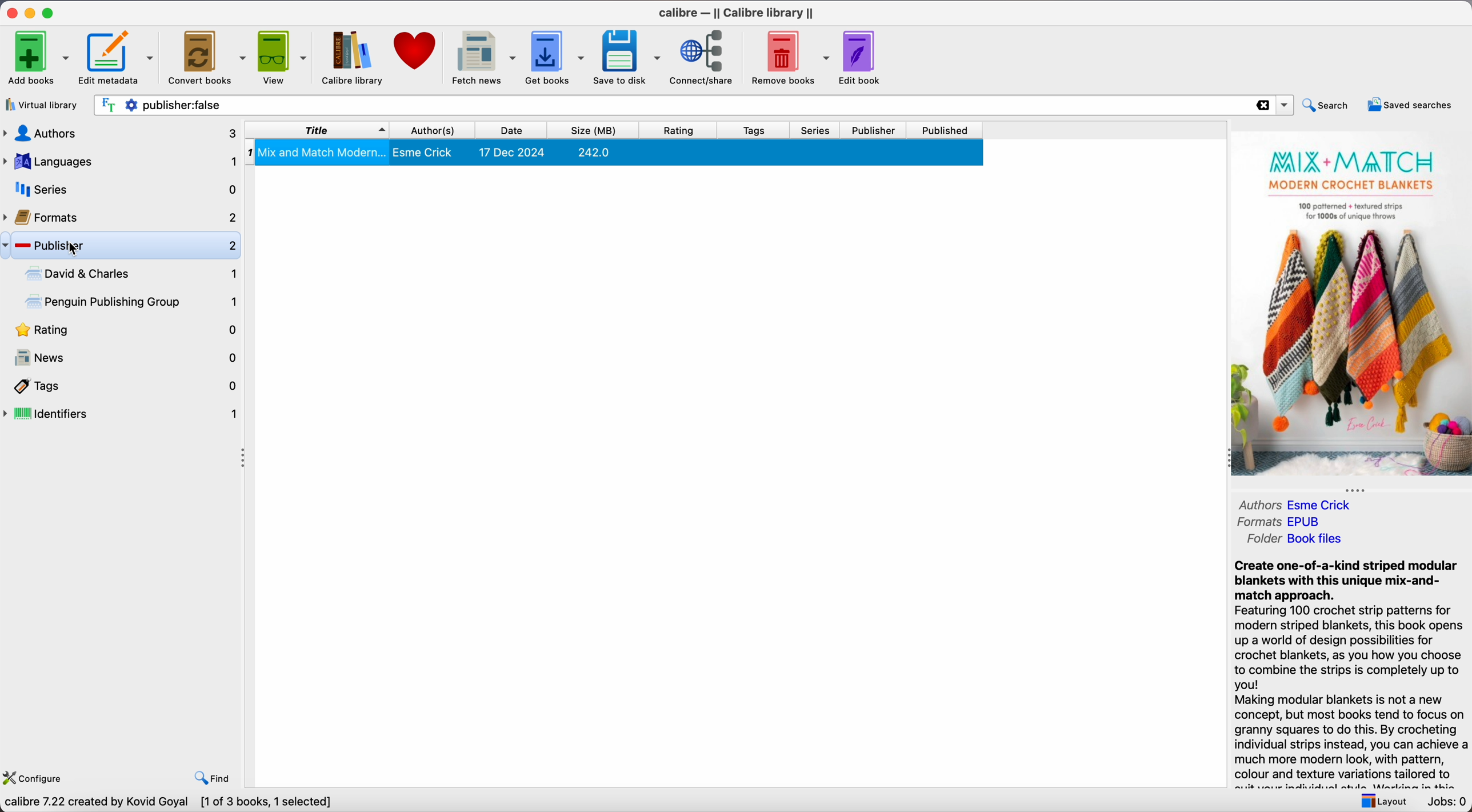 This screenshot has height=812, width=1472. I want to click on add books, so click(38, 56).